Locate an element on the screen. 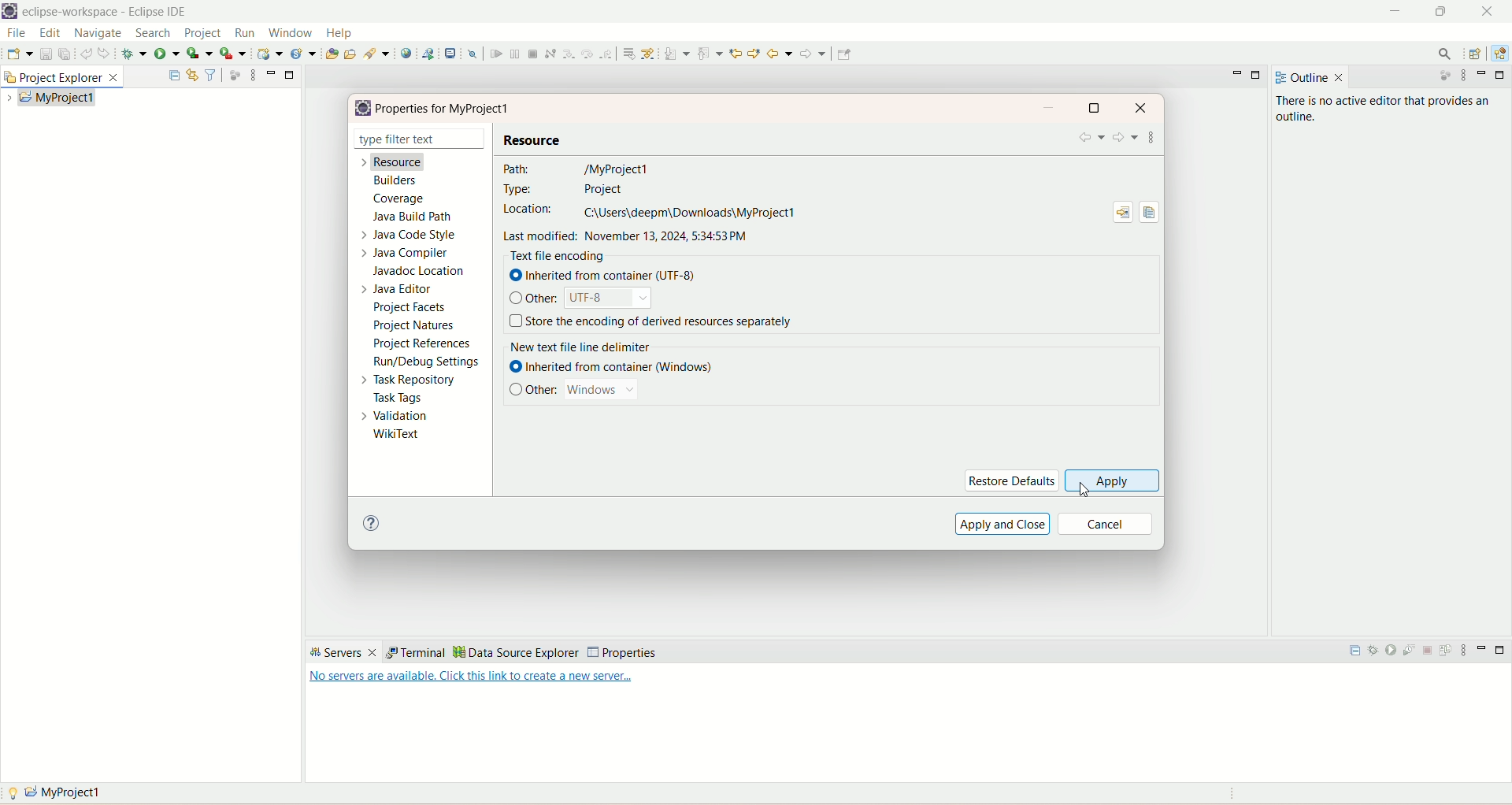 The image size is (1512, 805). minimize is located at coordinates (270, 73).